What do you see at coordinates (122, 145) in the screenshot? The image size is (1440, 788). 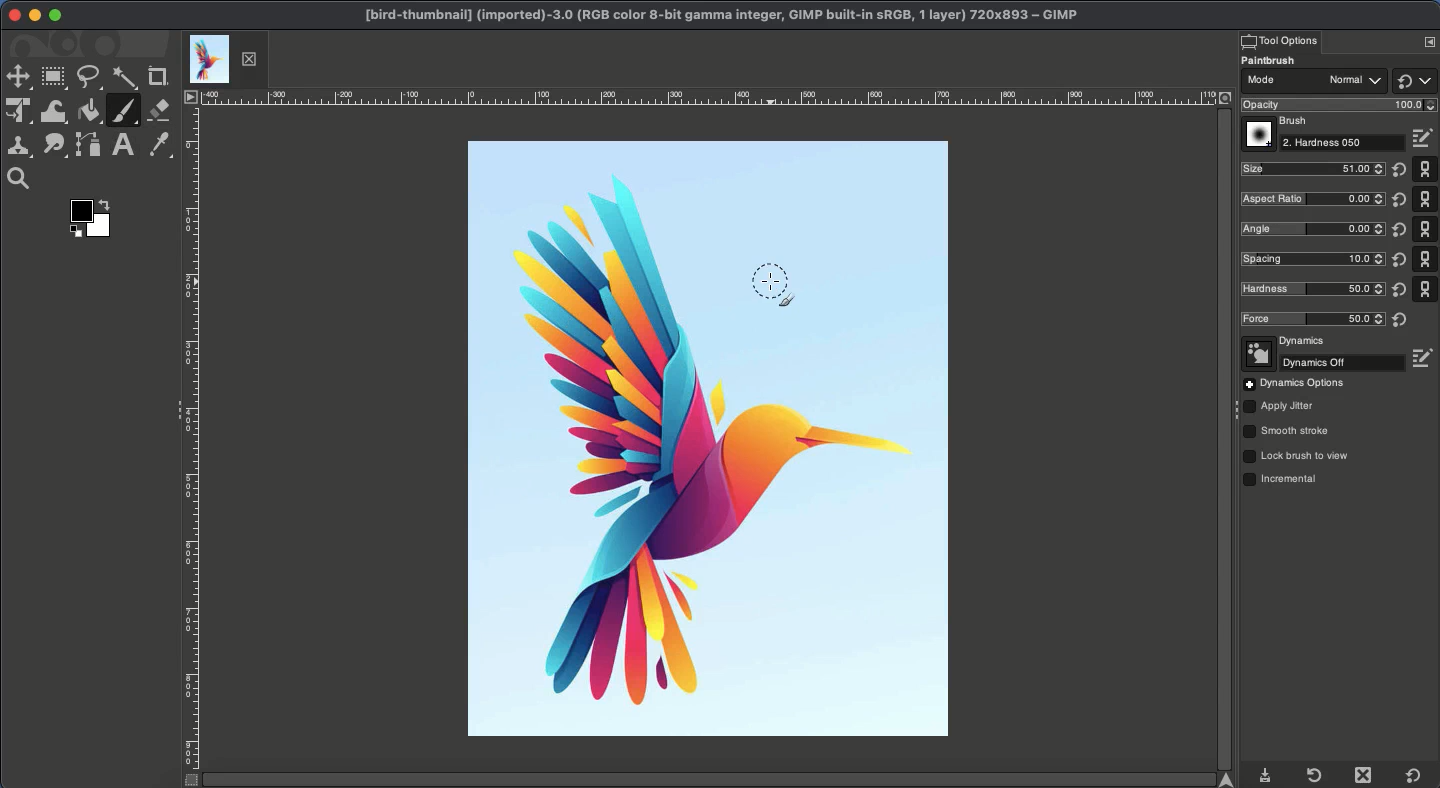 I see `Text` at bounding box center [122, 145].